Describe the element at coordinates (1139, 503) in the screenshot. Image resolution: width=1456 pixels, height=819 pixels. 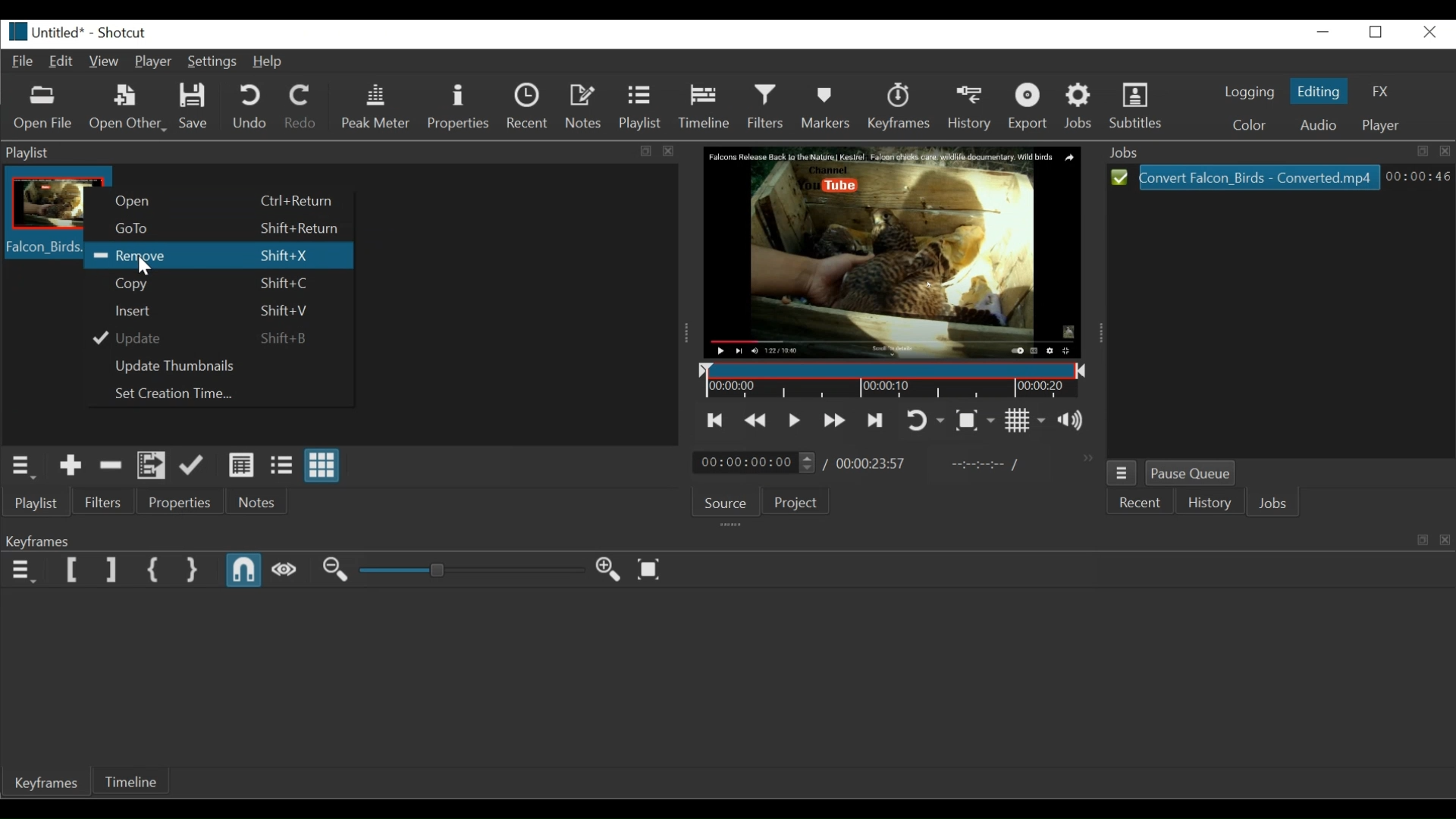
I see `Recent` at that location.